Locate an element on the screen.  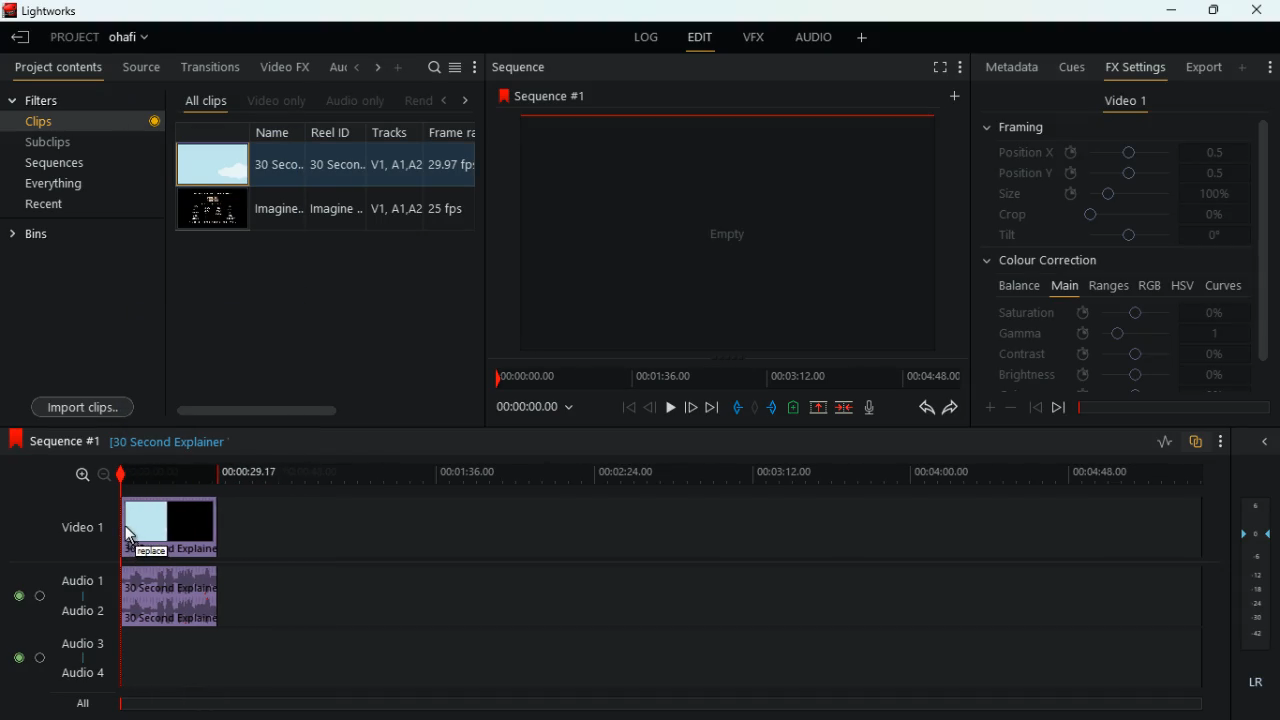
video is located at coordinates (170, 528).